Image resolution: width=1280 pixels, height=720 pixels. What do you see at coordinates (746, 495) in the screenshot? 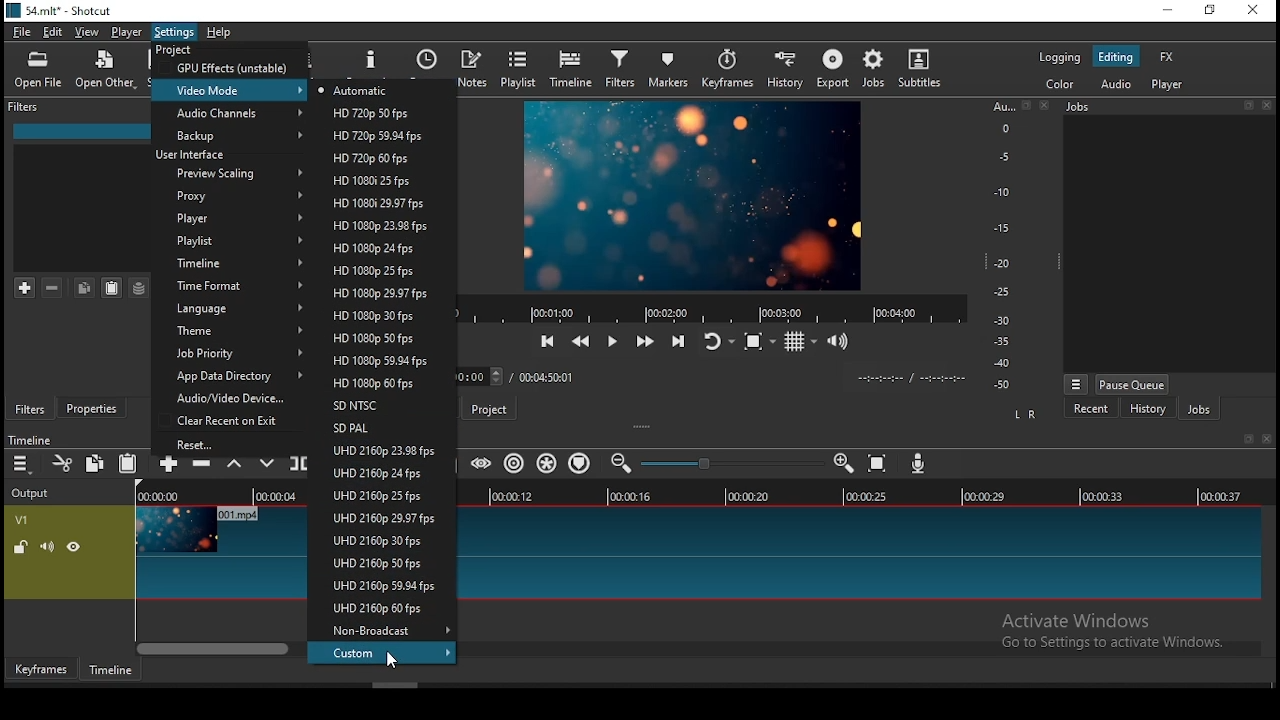
I see `00:00:20` at bounding box center [746, 495].